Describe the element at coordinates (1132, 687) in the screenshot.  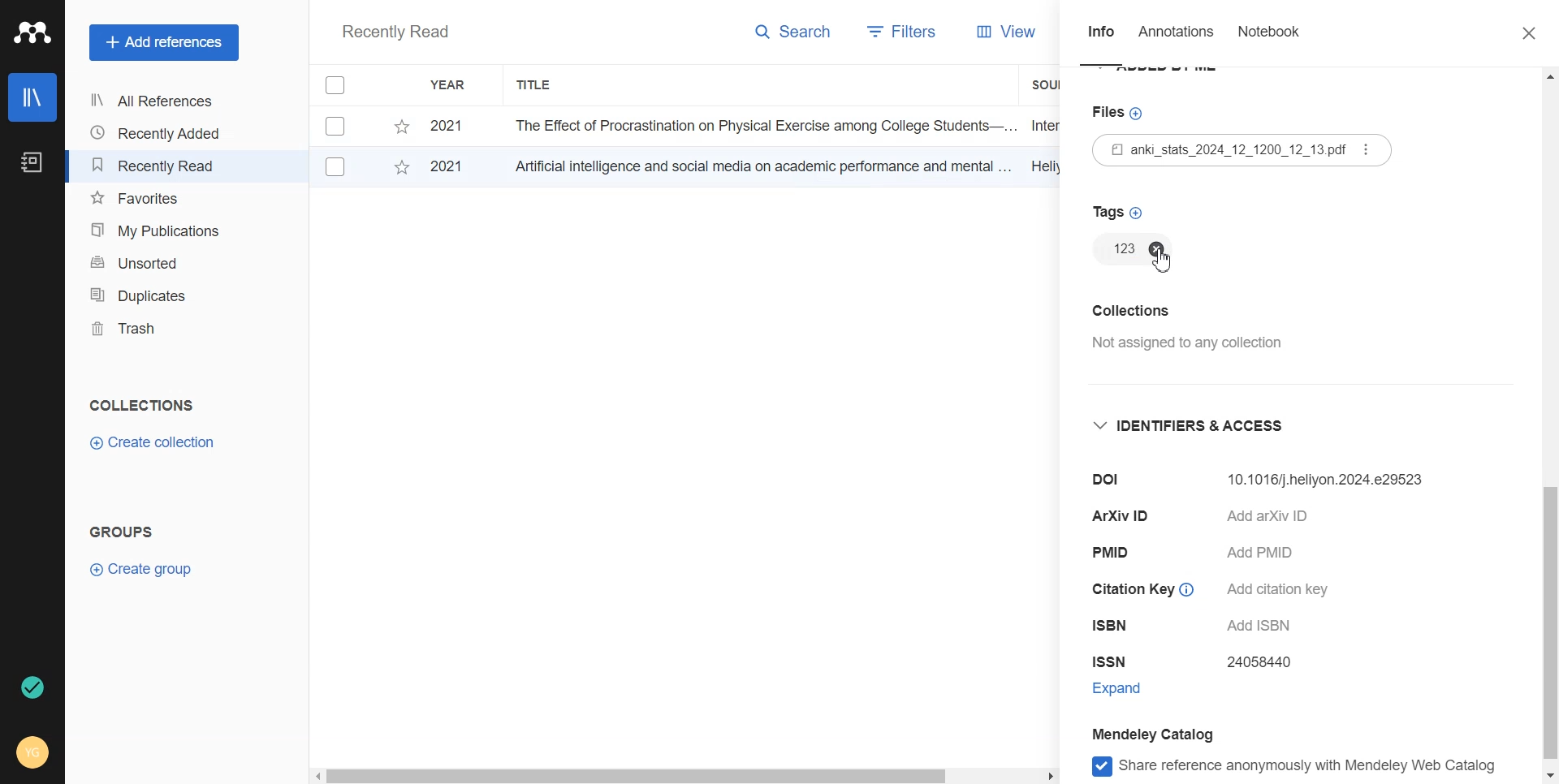
I see `Expand` at that location.